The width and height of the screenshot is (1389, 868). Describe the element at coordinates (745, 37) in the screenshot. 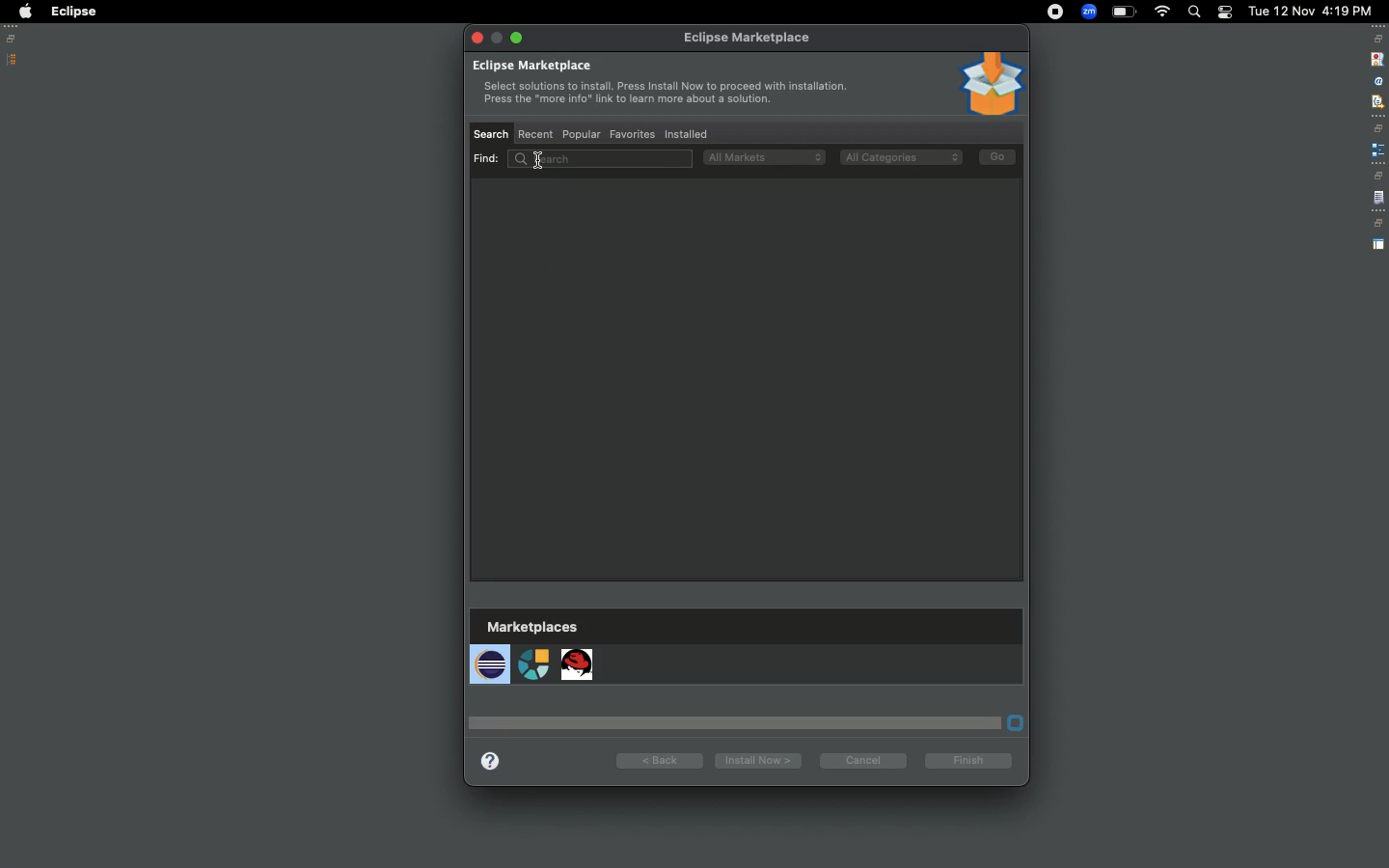

I see `Eclipse marketplace` at that location.